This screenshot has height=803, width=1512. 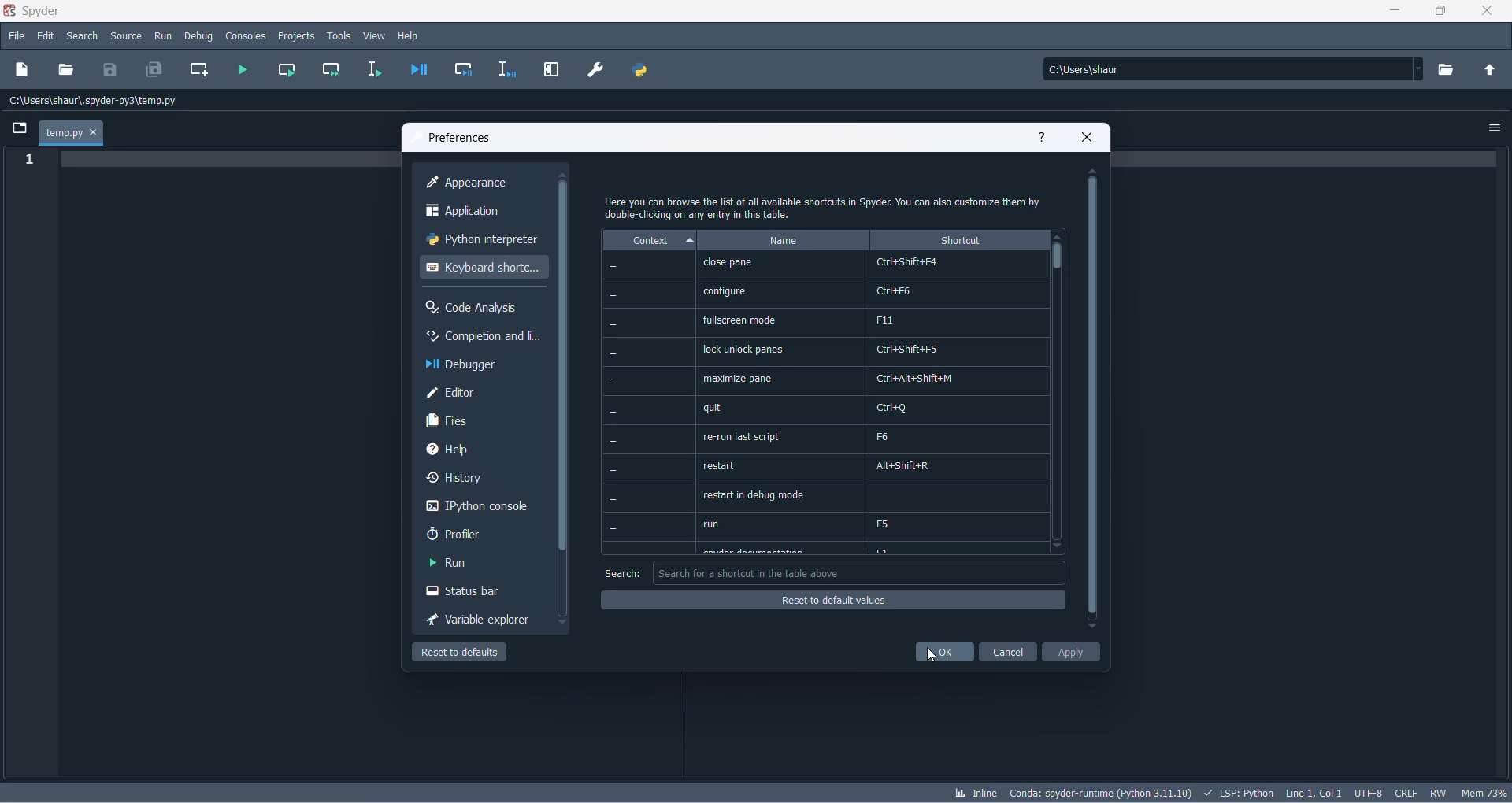 What do you see at coordinates (420, 71) in the screenshot?
I see `debug file` at bounding box center [420, 71].